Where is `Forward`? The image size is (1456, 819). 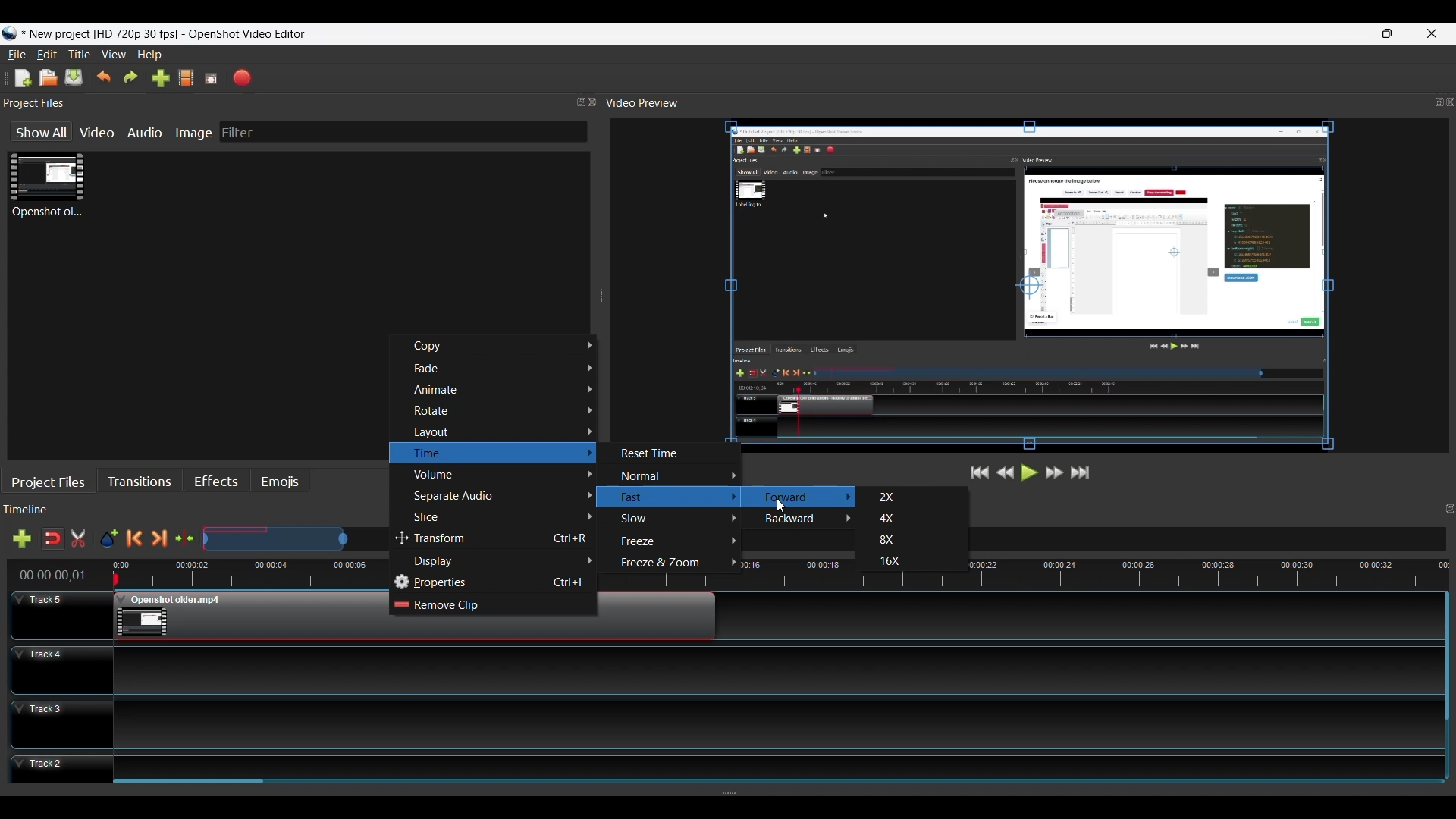 Forward is located at coordinates (802, 498).